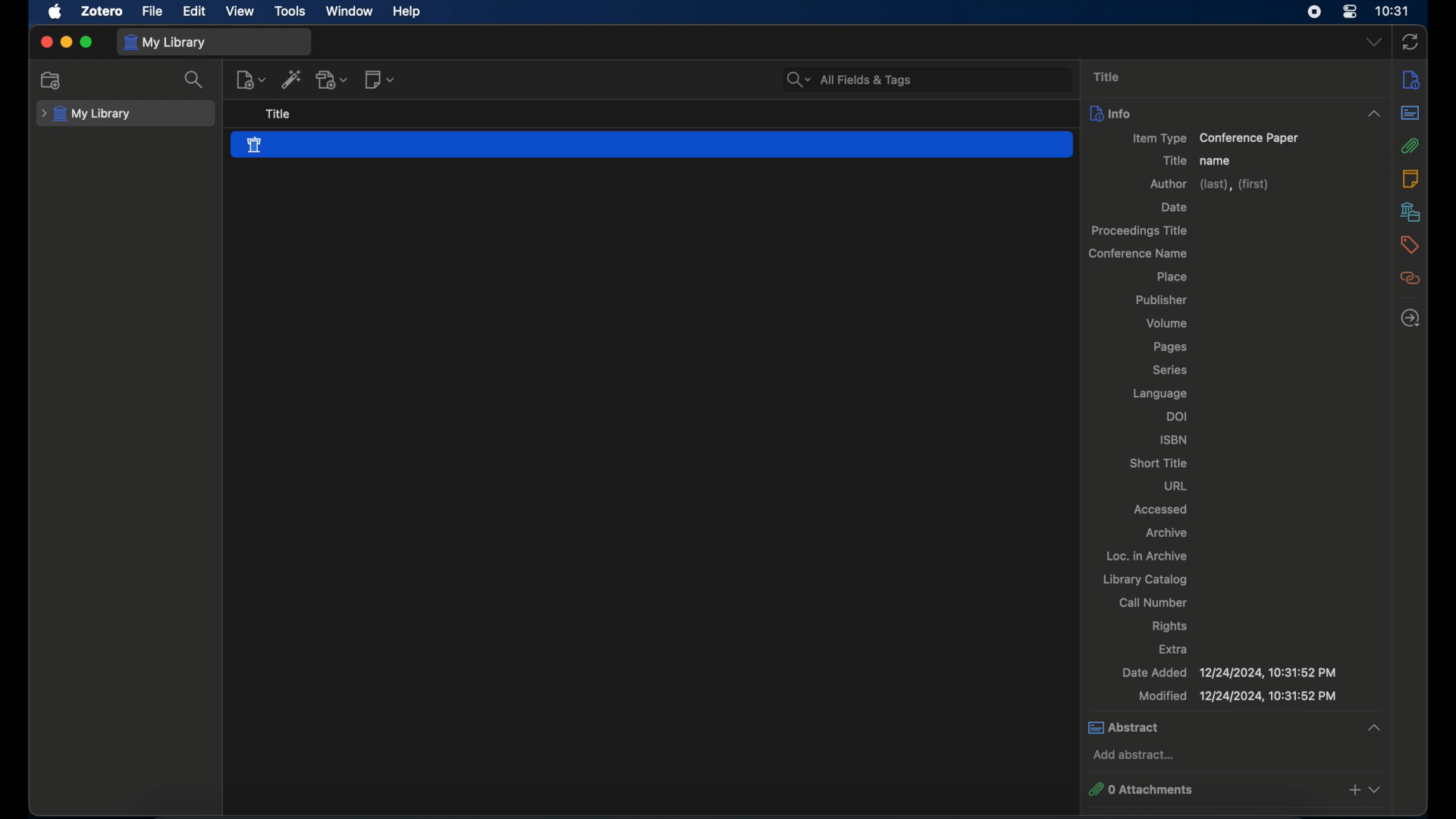 The width and height of the screenshot is (1456, 819). I want to click on new item, so click(251, 79).